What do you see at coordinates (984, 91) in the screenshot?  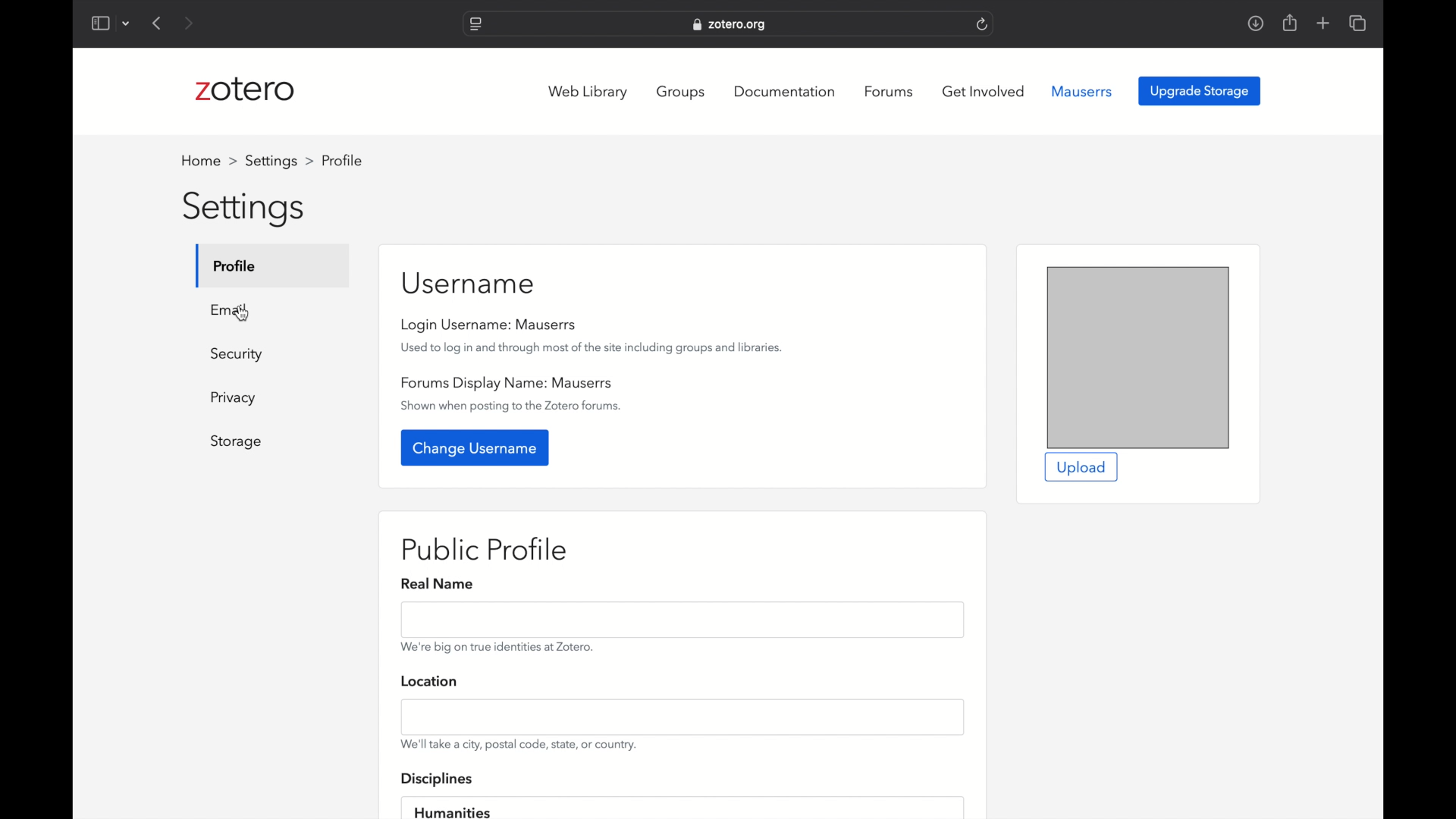 I see `get involved` at bounding box center [984, 91].